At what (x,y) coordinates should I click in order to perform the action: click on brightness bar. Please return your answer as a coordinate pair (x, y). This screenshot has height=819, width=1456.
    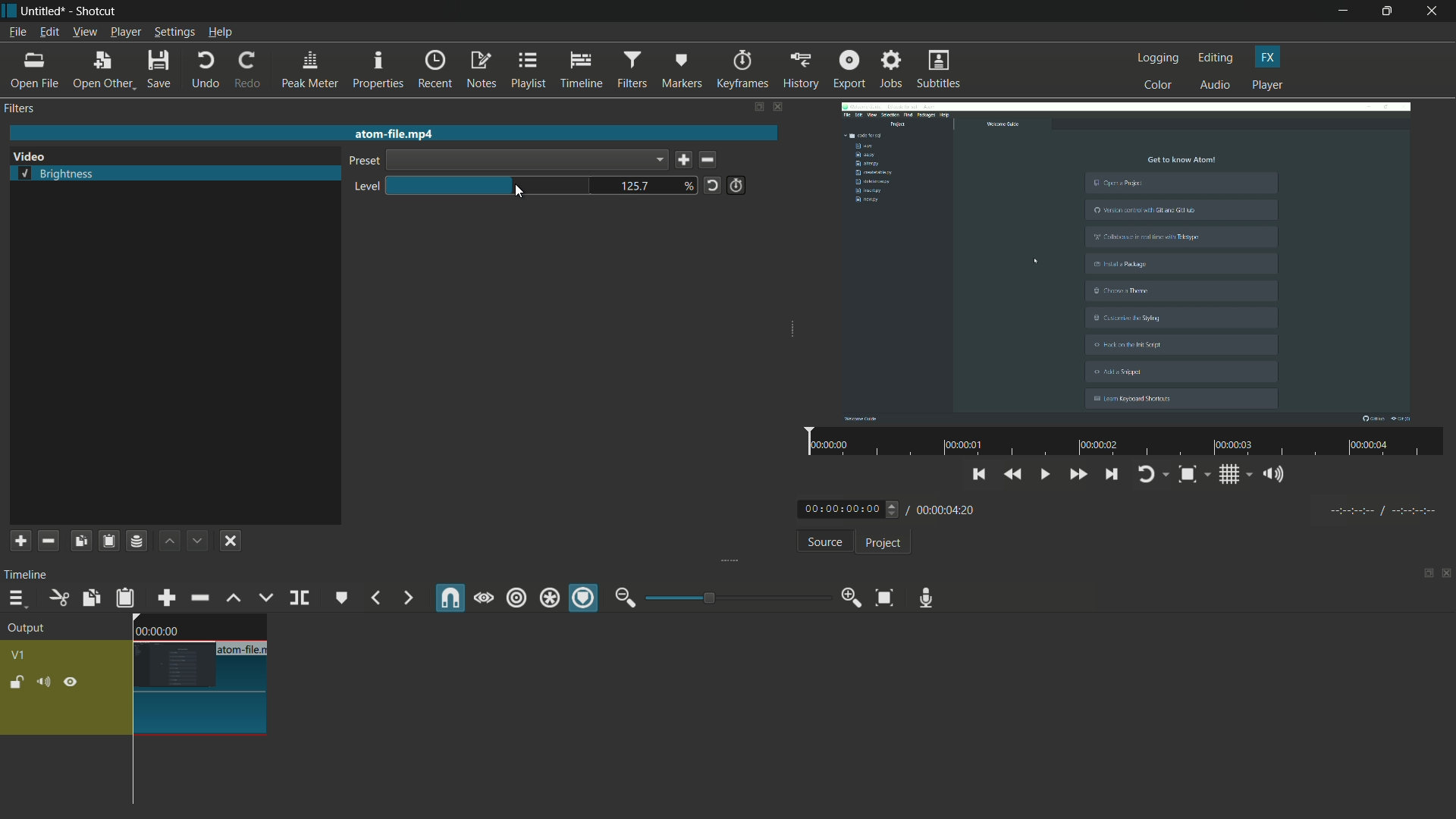
    Looking at the image, I should click on (490, 186).